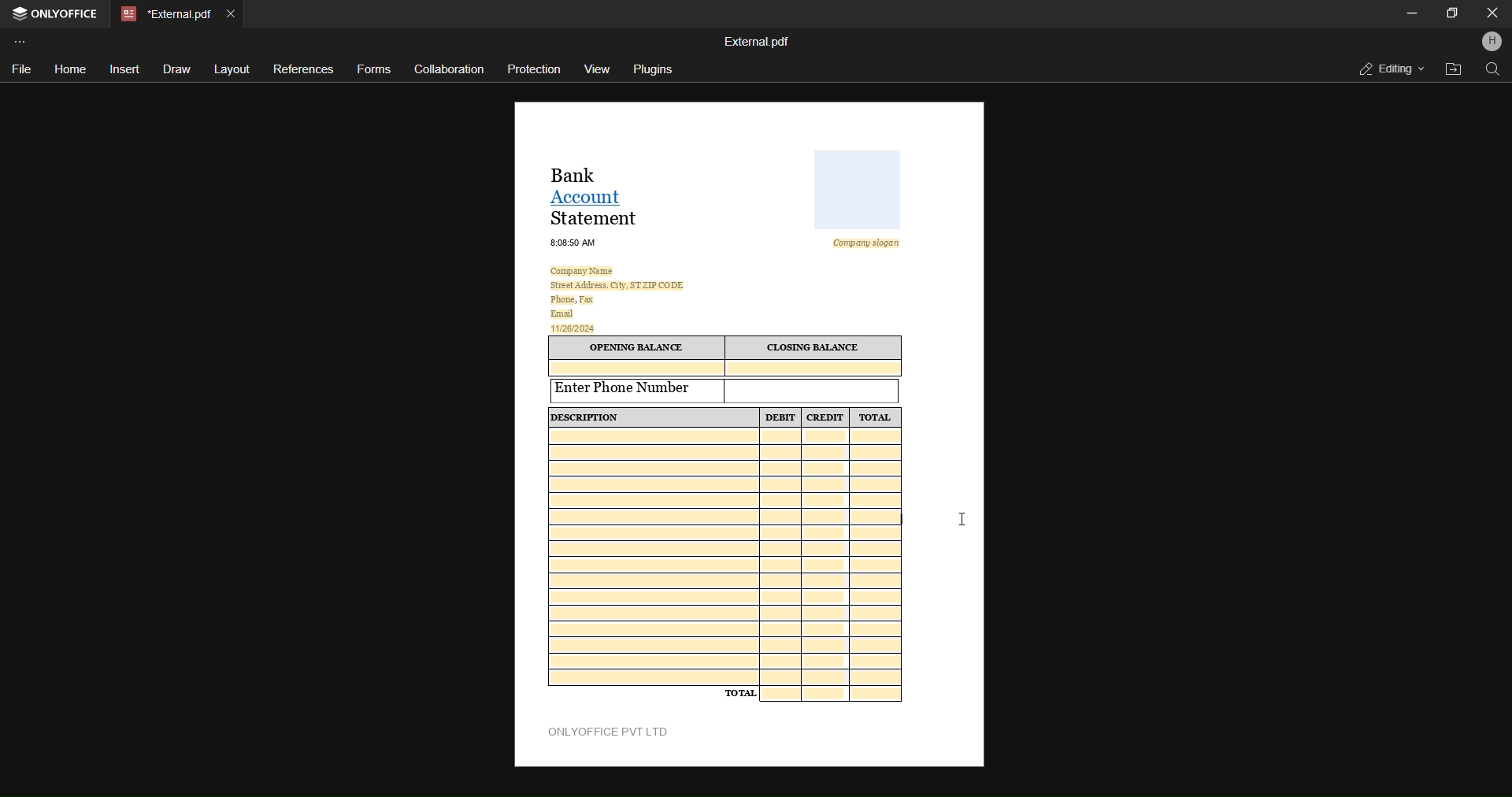 The height and width of the screenshot is (797, 1512). I want to click on collaboration, so click(448, 69).